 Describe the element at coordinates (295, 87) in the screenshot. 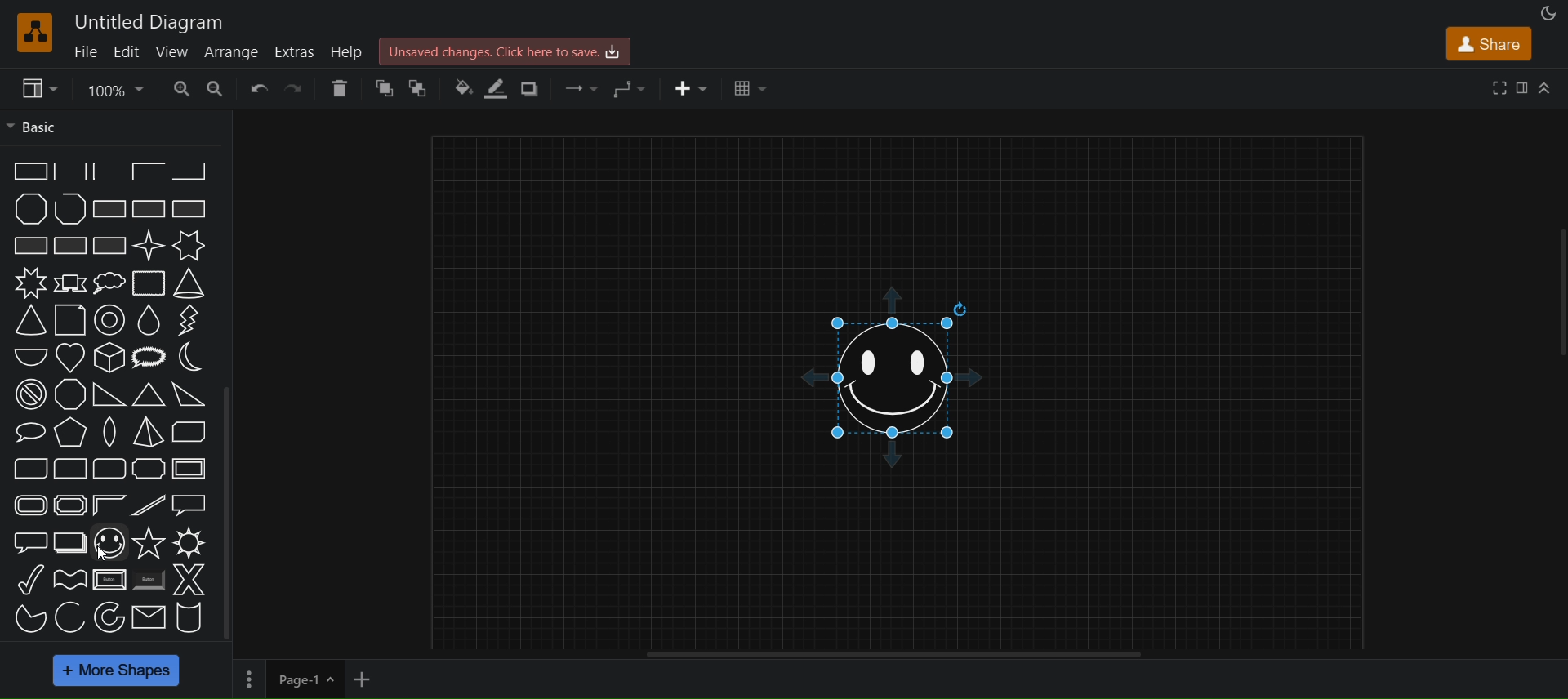

I see `redo` at that location.